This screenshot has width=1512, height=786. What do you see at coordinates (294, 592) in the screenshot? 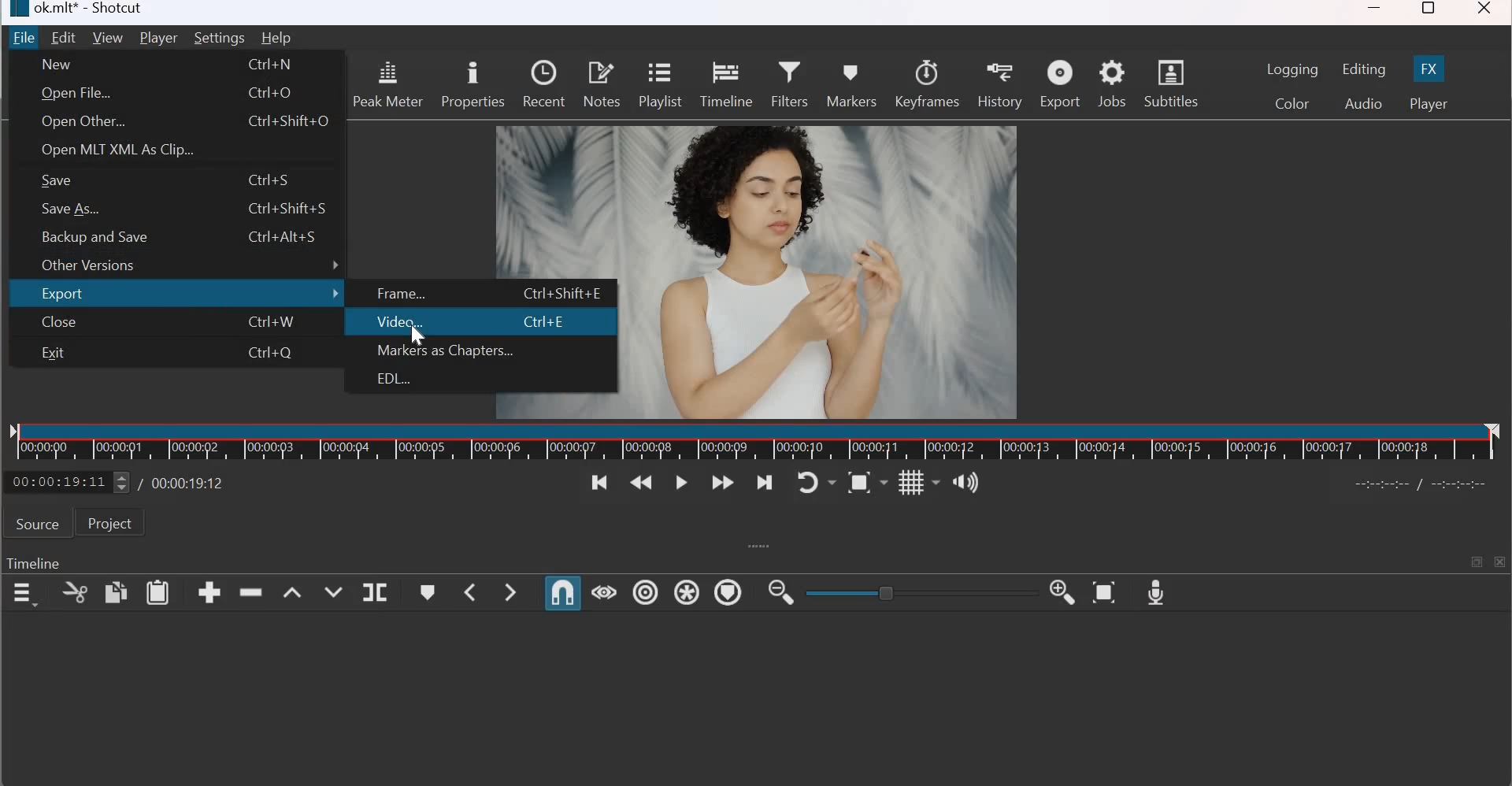
I see `lift` at bounding box center [294, 592].